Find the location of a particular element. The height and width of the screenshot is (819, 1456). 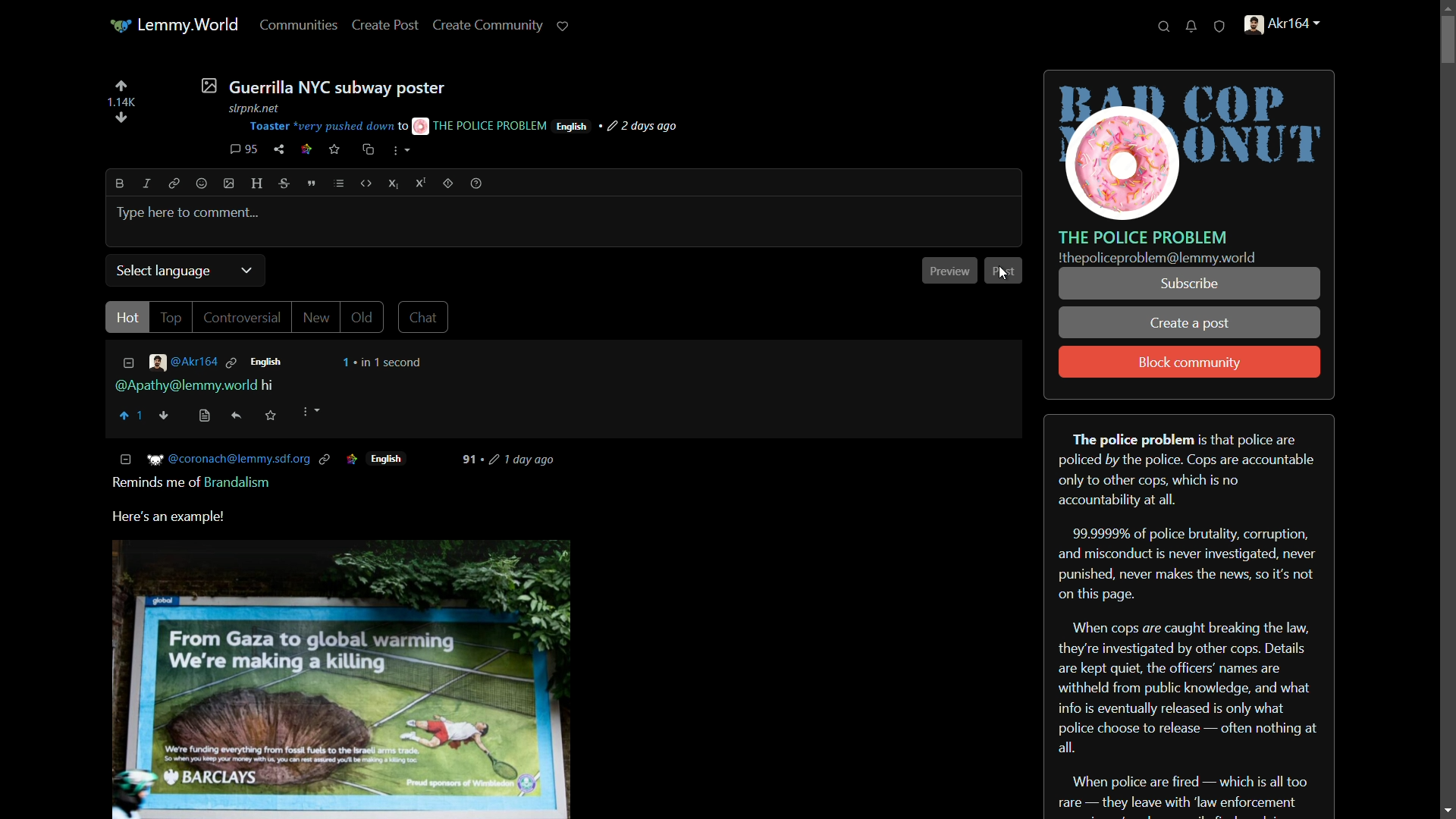

lemmy world  is located at coordinates (176, 26).